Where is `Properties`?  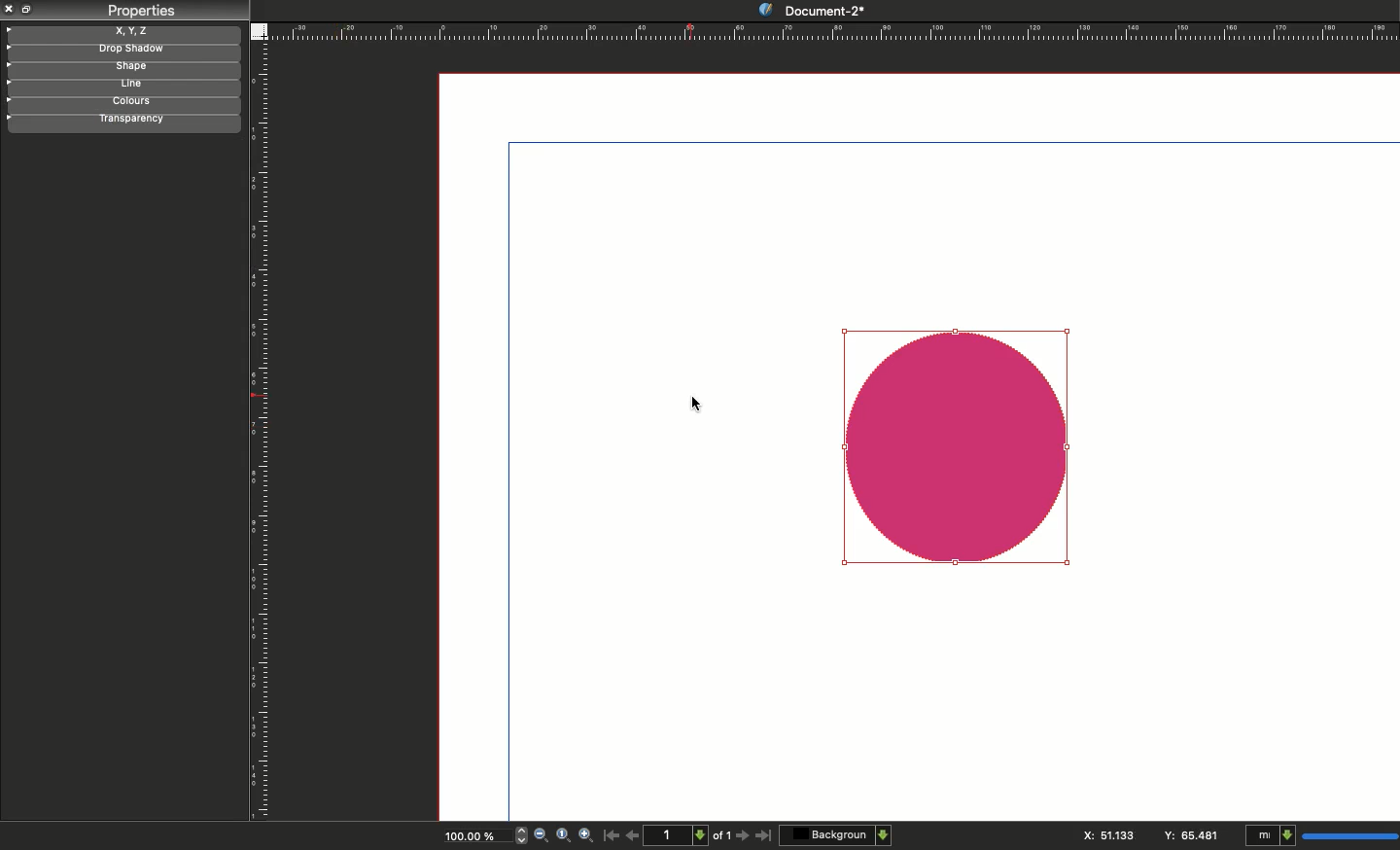
Properties is located at coordinates (140, 11).